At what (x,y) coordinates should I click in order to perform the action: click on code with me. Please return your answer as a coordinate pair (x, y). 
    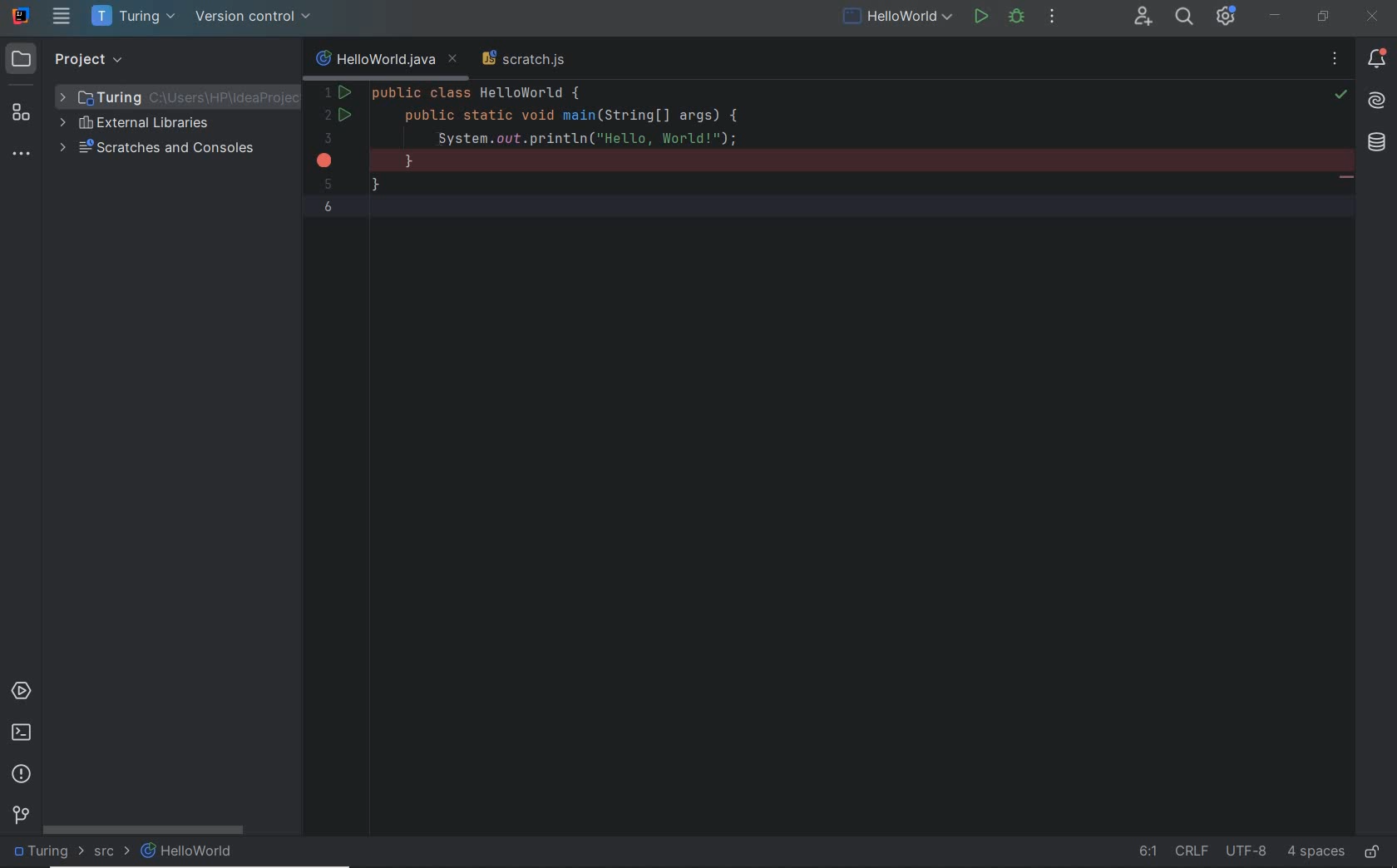
    Looking at the image, I should click on (1145, 17).